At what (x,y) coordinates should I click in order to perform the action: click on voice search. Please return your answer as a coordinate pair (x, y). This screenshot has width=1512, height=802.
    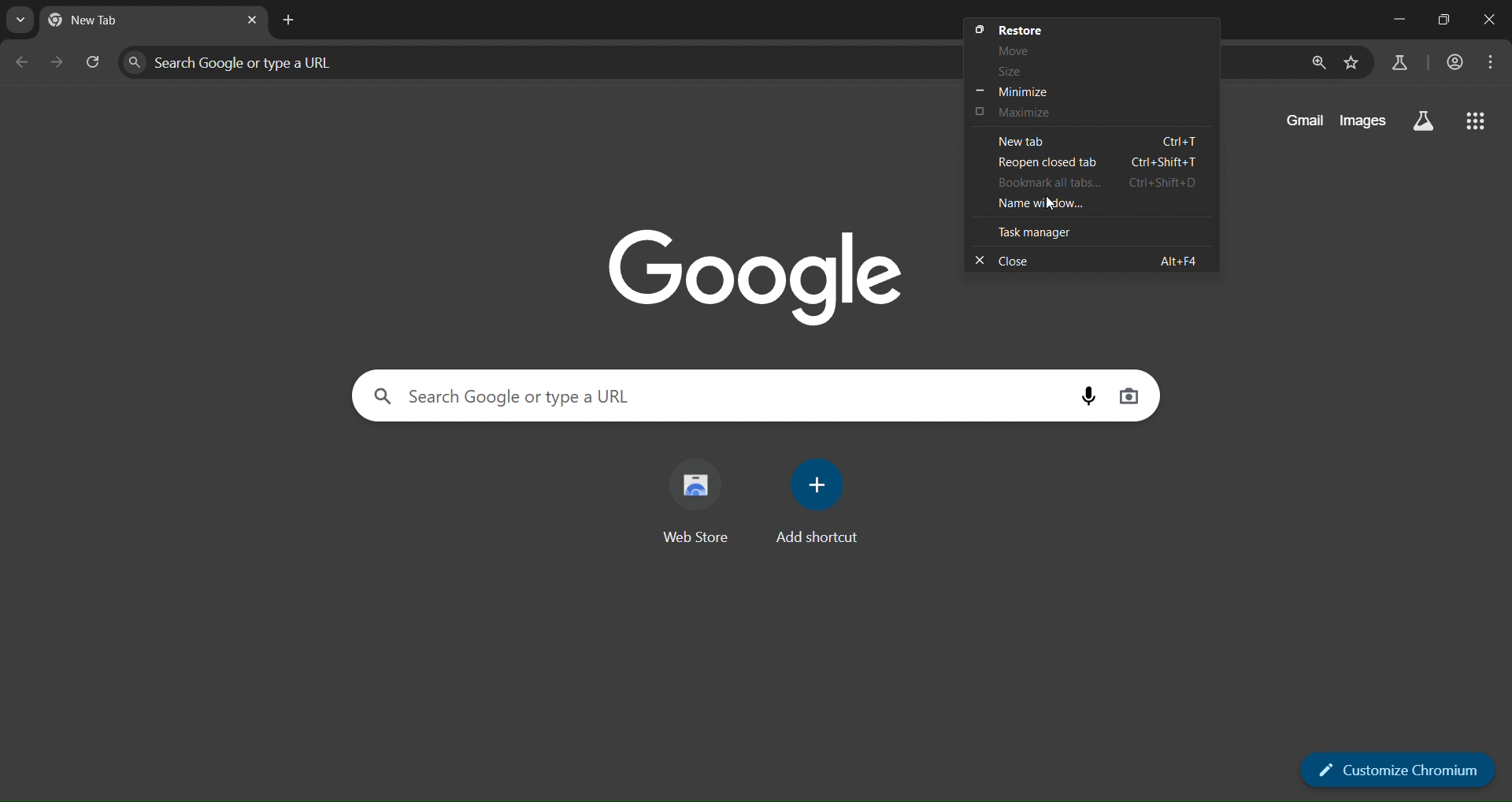
    Looking at the image, I should click on (1086, 394).